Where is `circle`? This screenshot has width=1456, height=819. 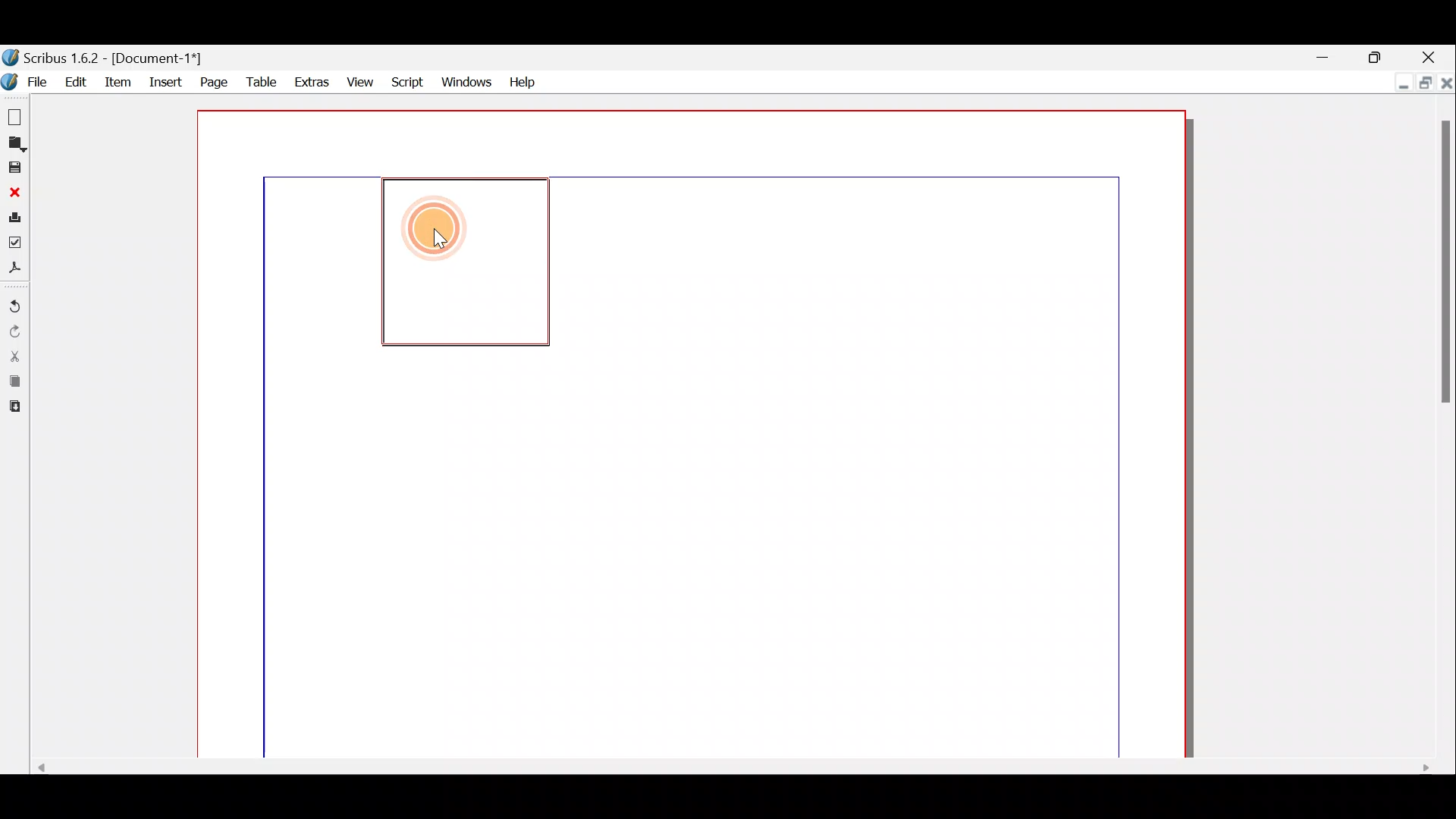
circle is located at coordinates (434, 232).